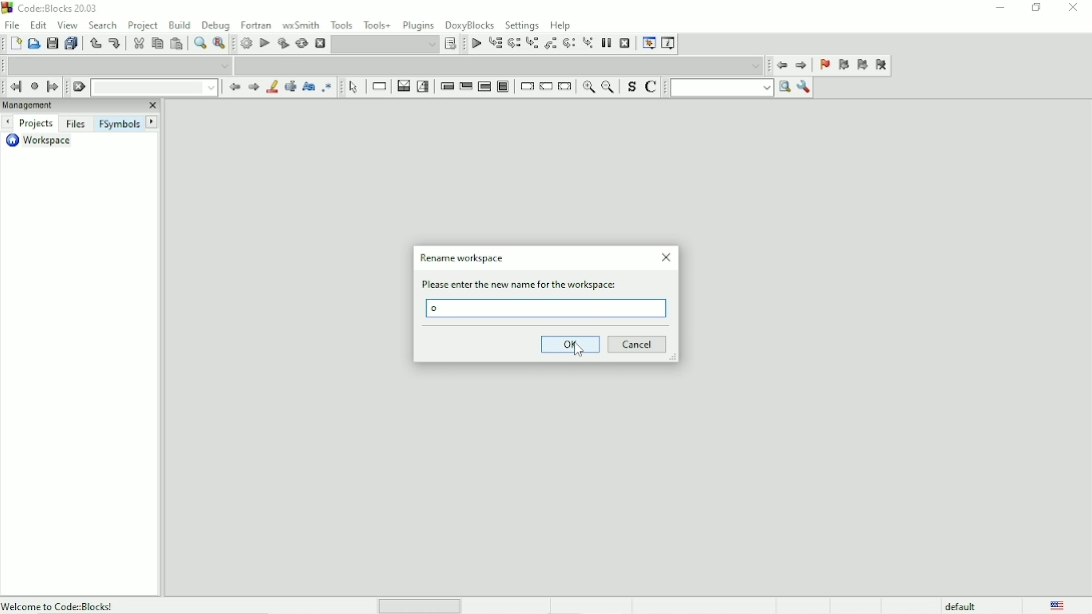 This screenshot has height=614, width=1092. What do you see at coordinates (419, 24) in the screenshot?
I see `Plugins` at bounding box center [419, 24].